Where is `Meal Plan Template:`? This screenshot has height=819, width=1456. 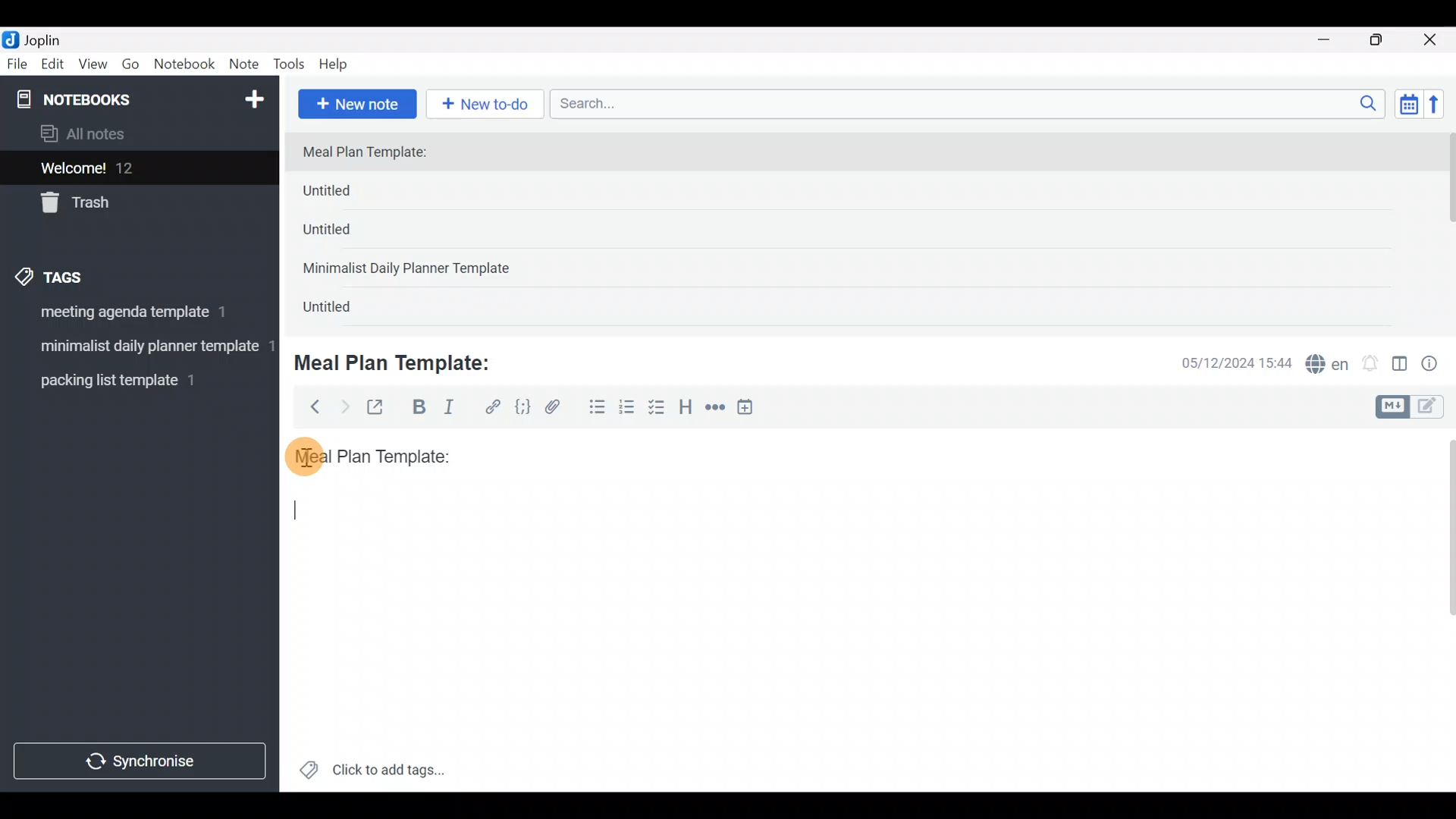
Meal Plan Template: is located at coordinates (402, 361).